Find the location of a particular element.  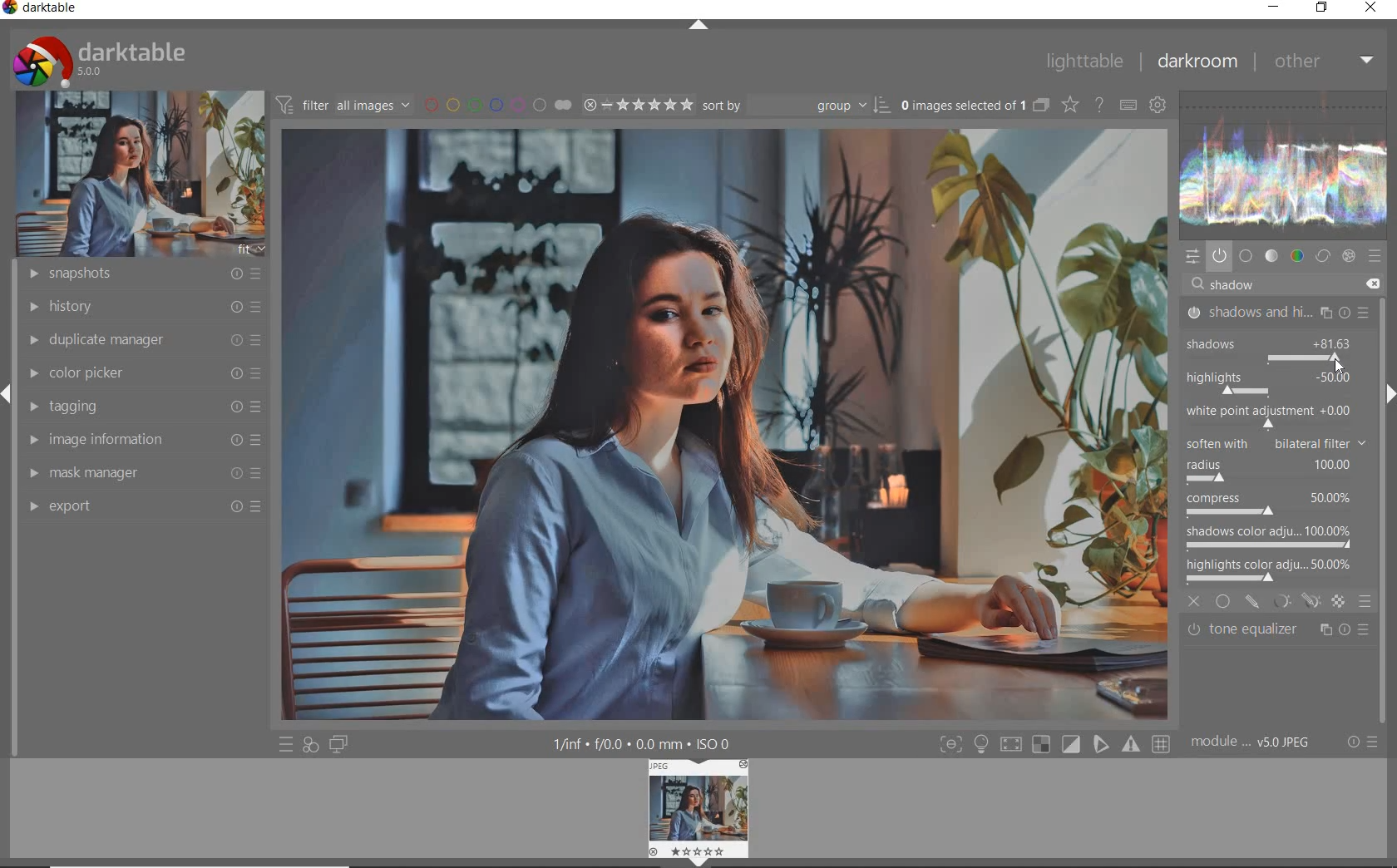

expand/collapse is located at coordinates (698, 27).